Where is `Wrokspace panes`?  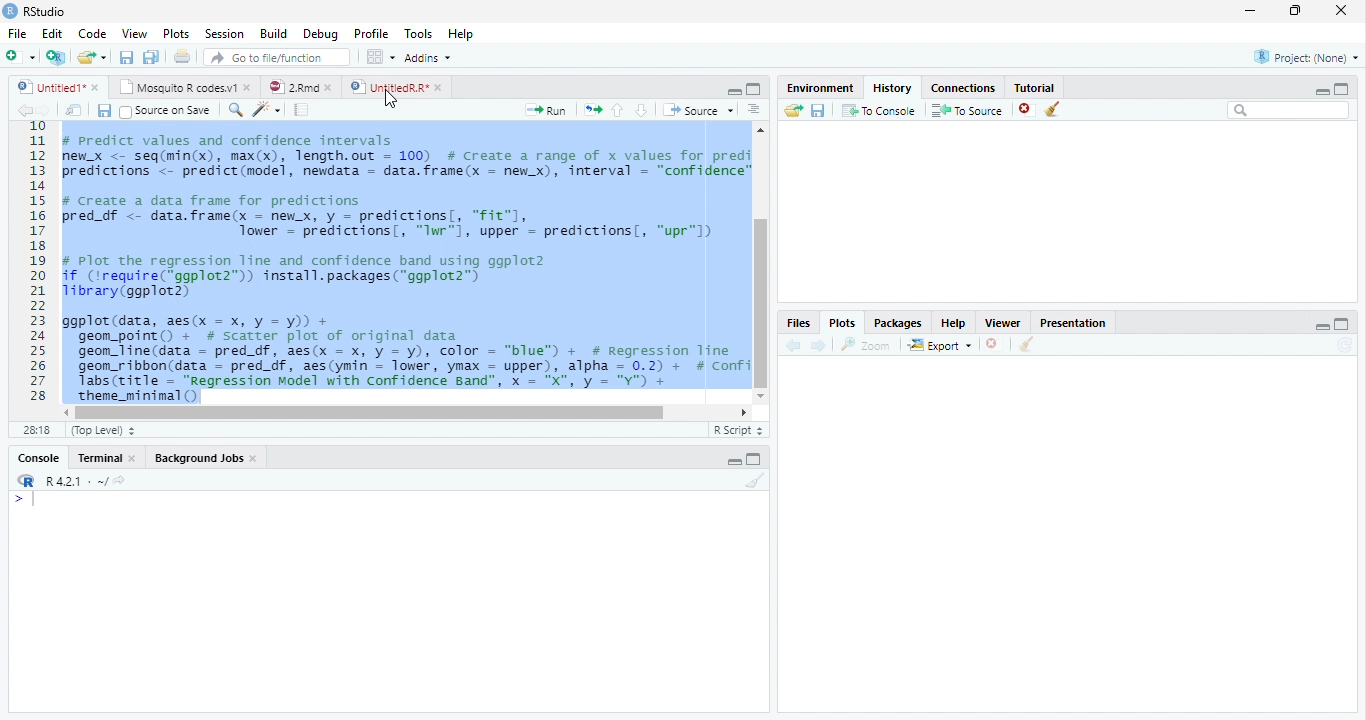 Wrokspace panes is located at coordinates (379, 57).